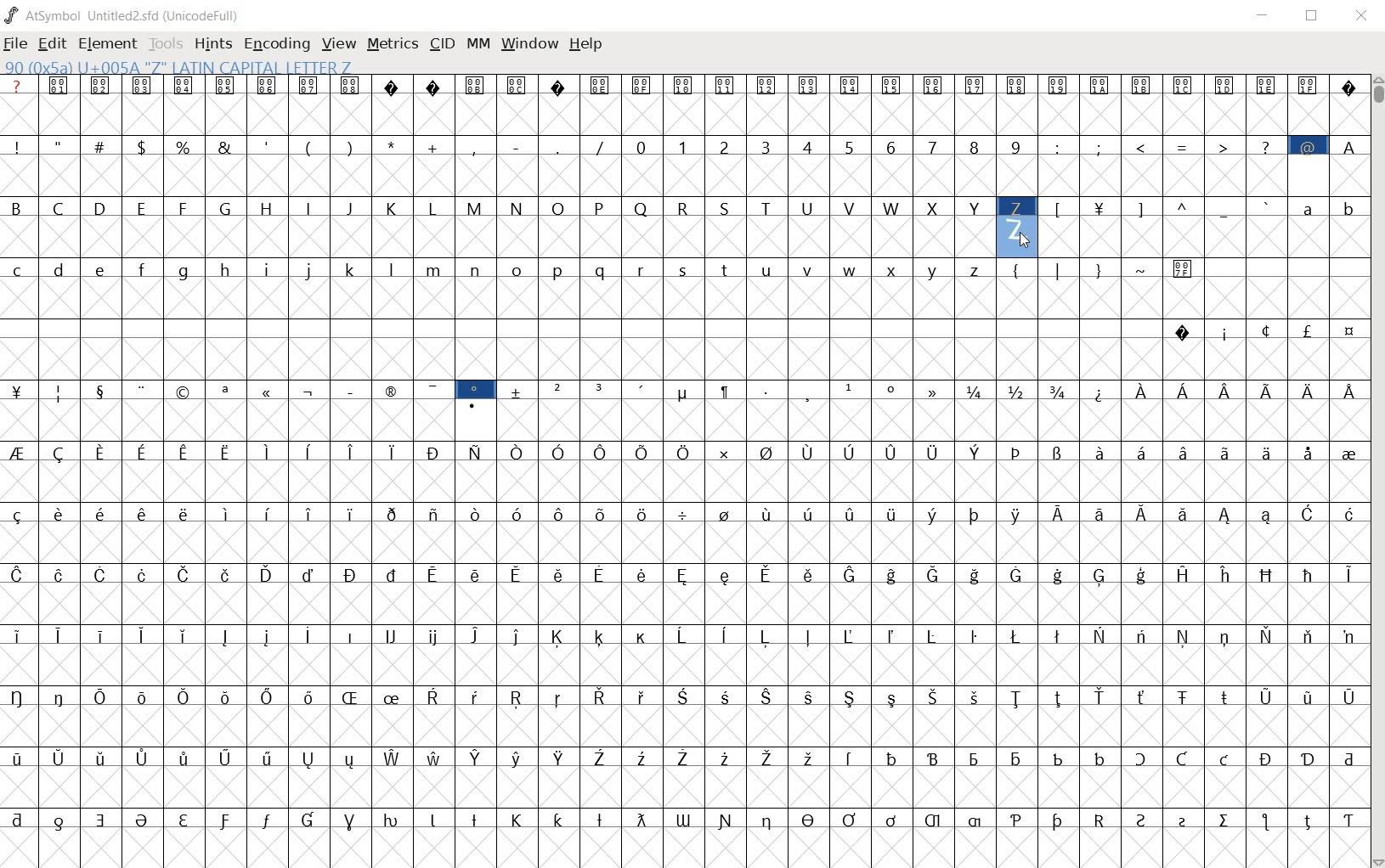 The image size is (1385, 868). Describe the element at coordinates (680, 462) in the screenshot. I see `glyph characters` at that location.